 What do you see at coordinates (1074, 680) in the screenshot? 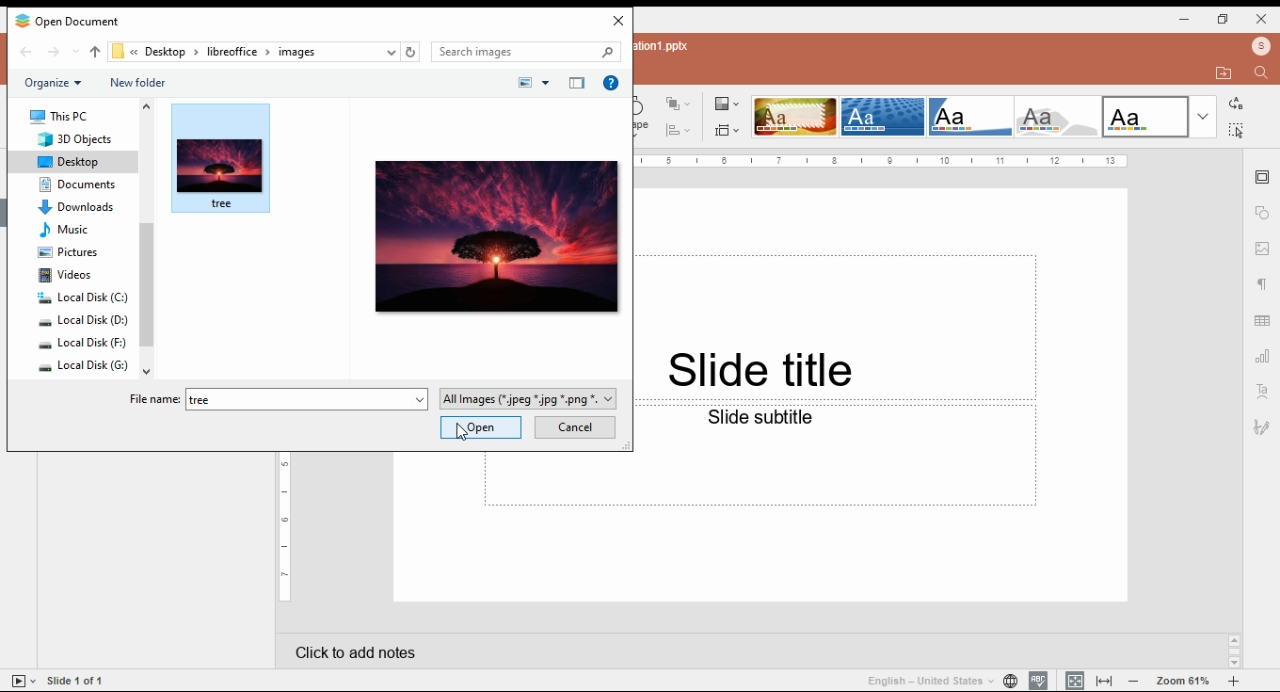
I see `fit to slide` at bounding box center [1074, 680].